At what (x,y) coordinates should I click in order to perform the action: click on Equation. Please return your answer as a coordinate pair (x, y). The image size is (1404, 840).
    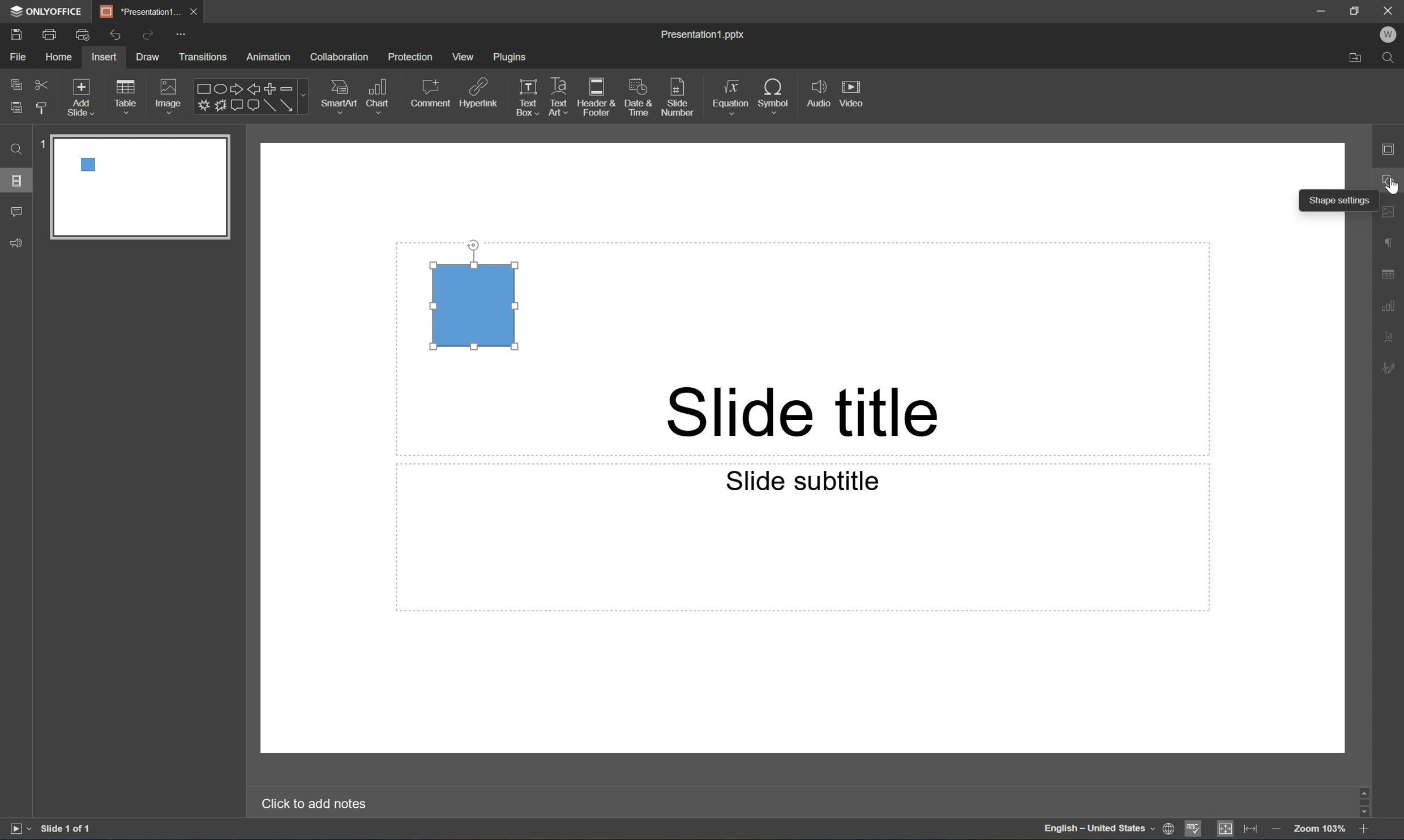
    Looking at the image, I should click on (731, 93).